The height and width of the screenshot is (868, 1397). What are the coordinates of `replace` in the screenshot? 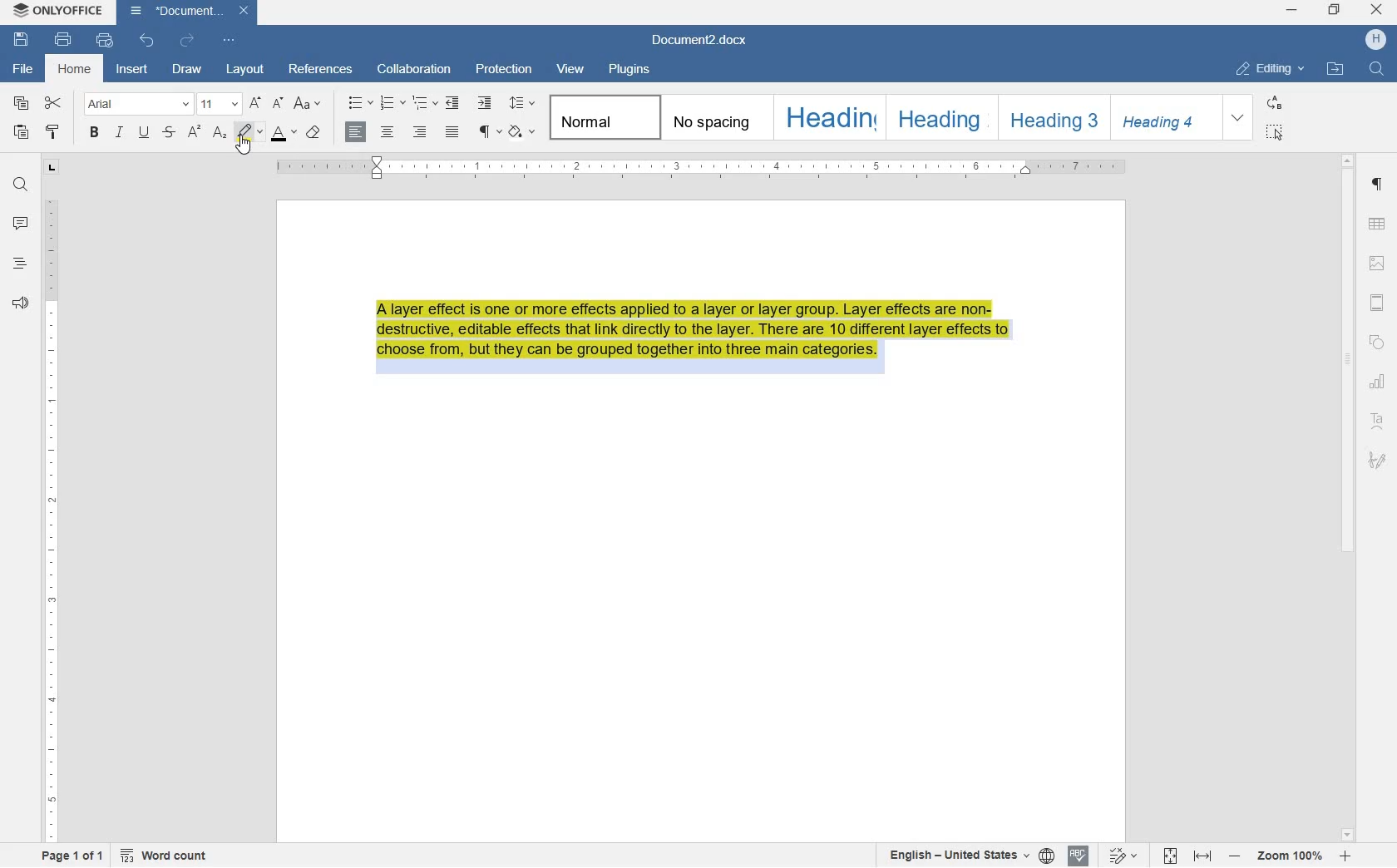 It's located at (1276, 105).